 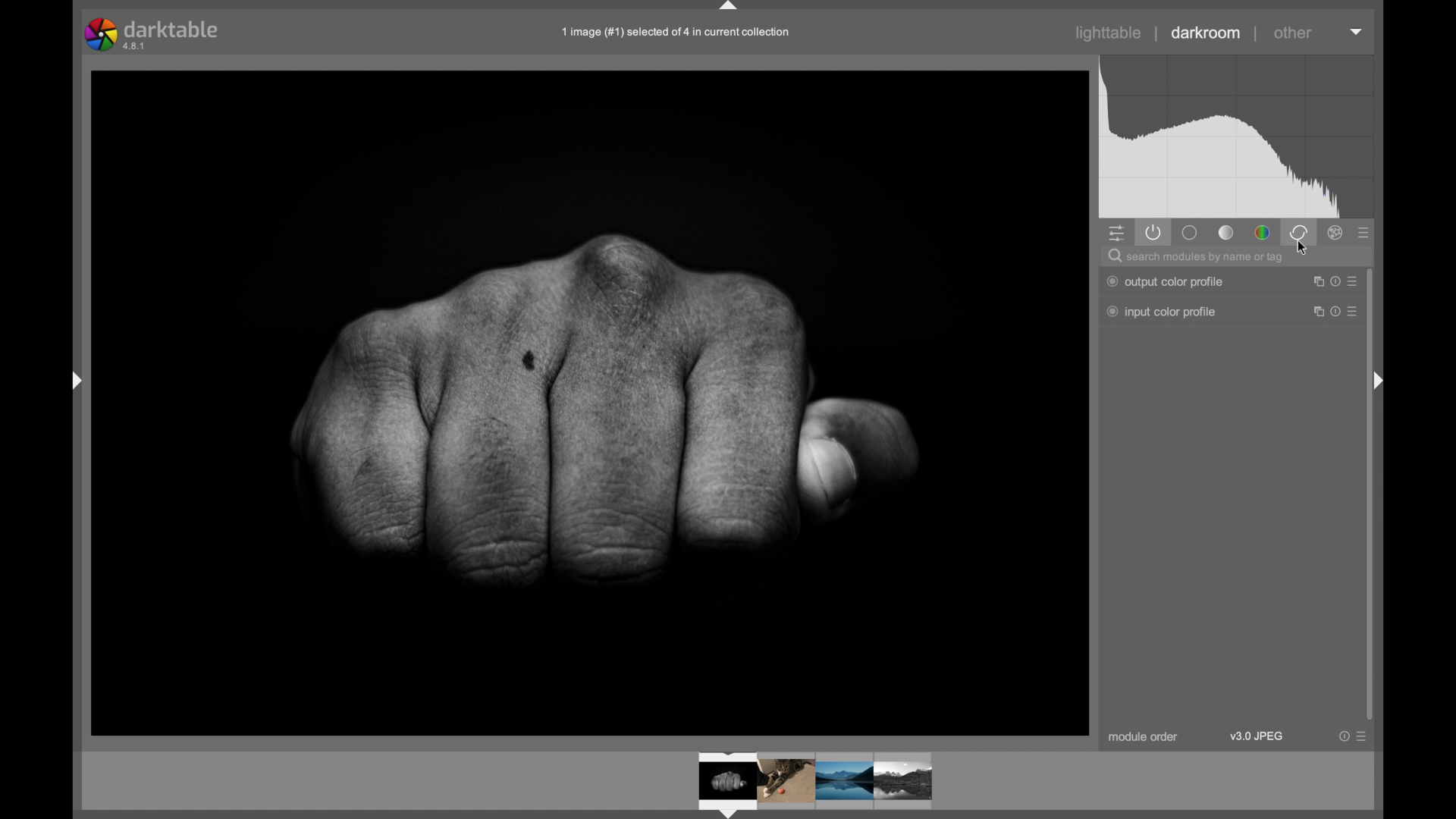 What do you see at coordinates (1298, 232) in the screenshot?
I see `correct` at bounding box center [1298, 232].